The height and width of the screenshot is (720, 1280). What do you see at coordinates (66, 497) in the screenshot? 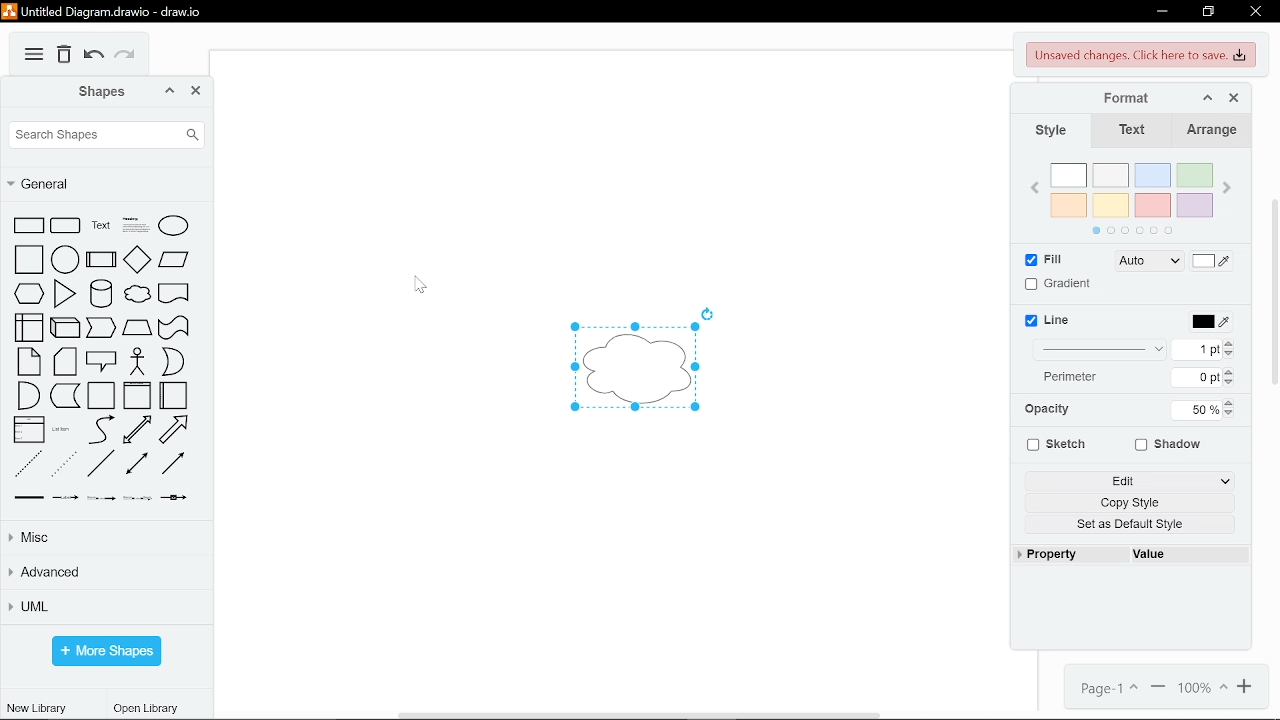
I see `connector with label` at bounding box center [66, 497].